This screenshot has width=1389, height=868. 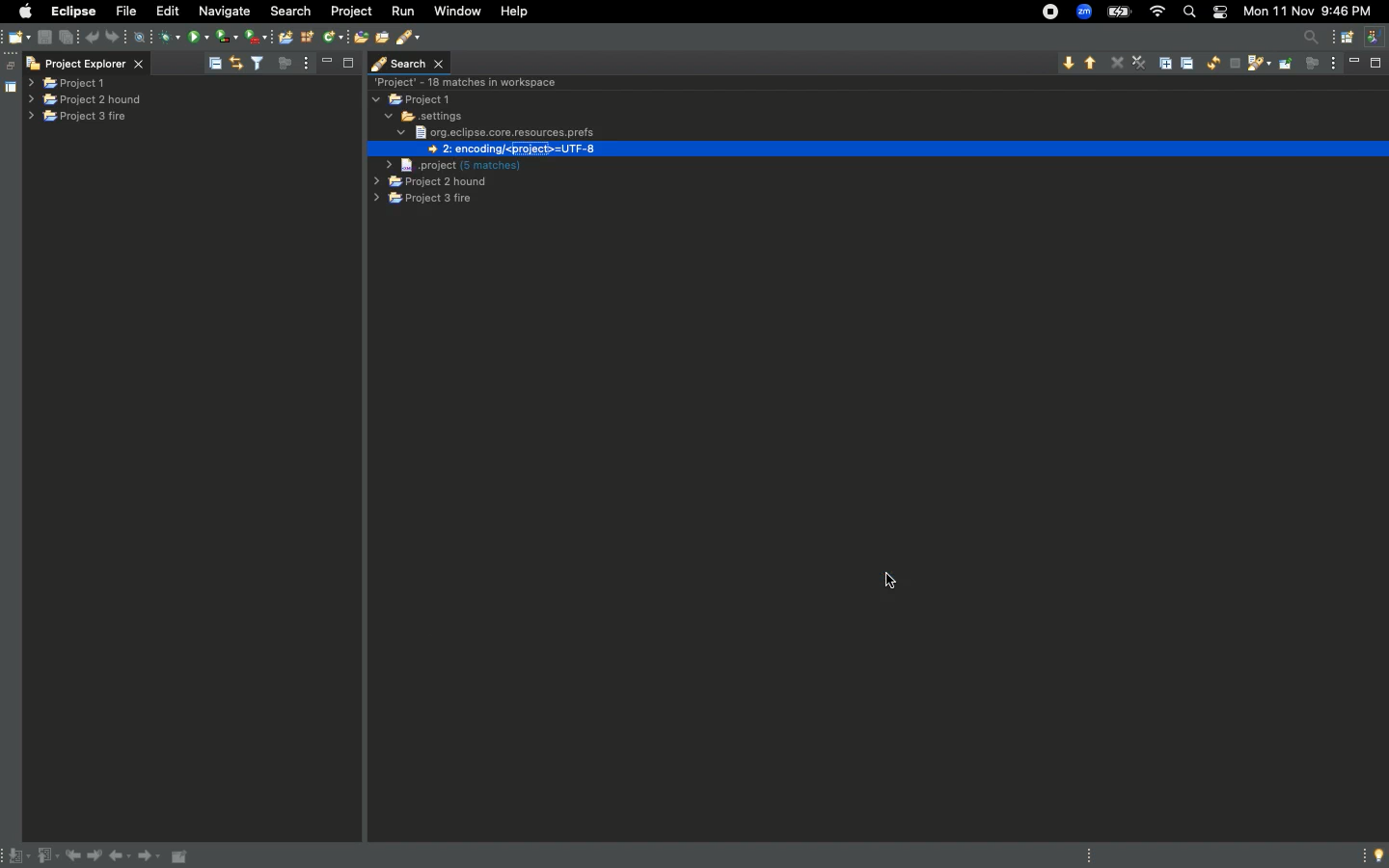 What do you see at coordinates (431, 183) in the screenshot?
I see `Project 2 ` at bounding box center [431, 183].